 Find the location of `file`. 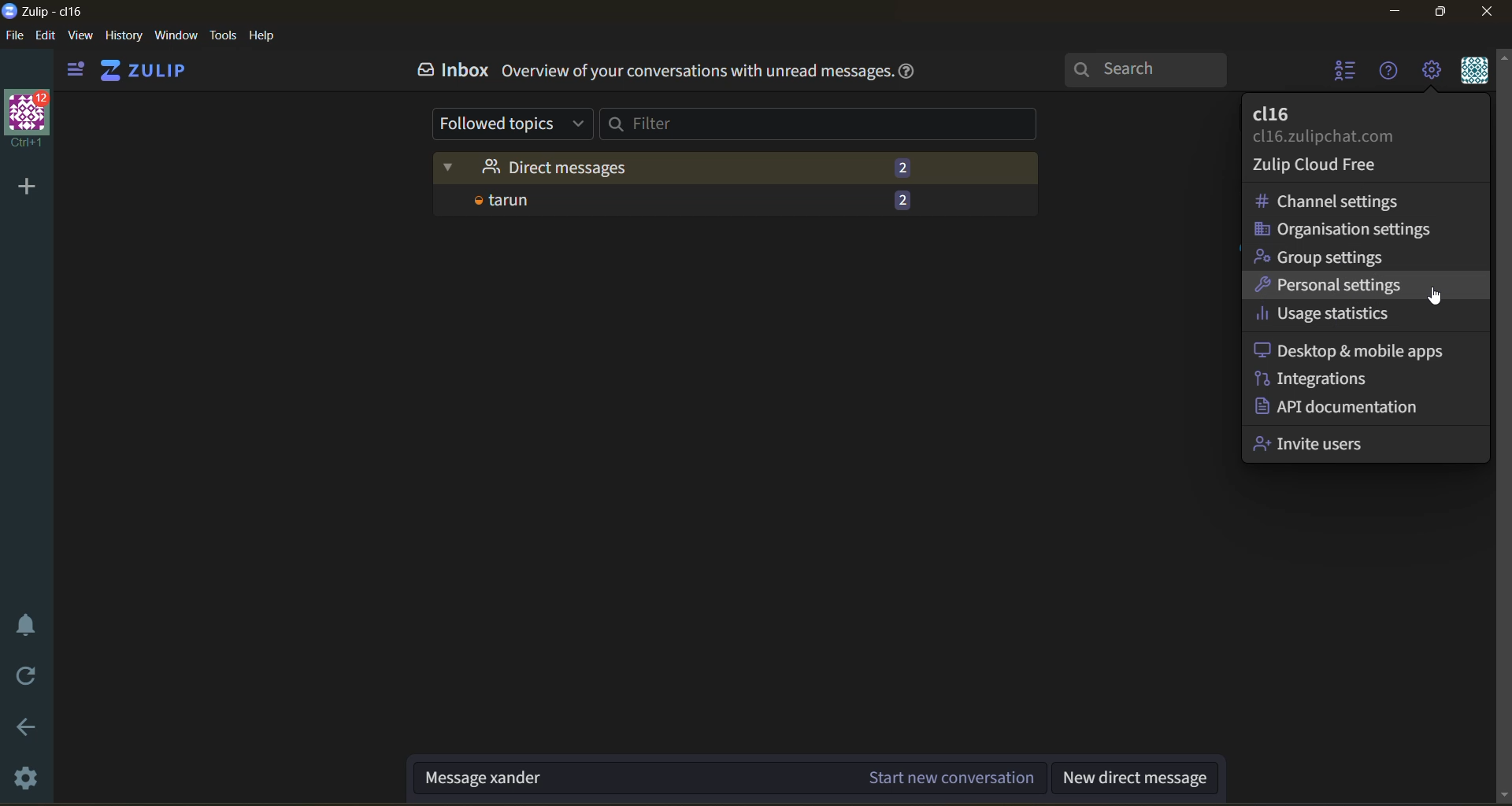

file is located at coordinates (13, 38).